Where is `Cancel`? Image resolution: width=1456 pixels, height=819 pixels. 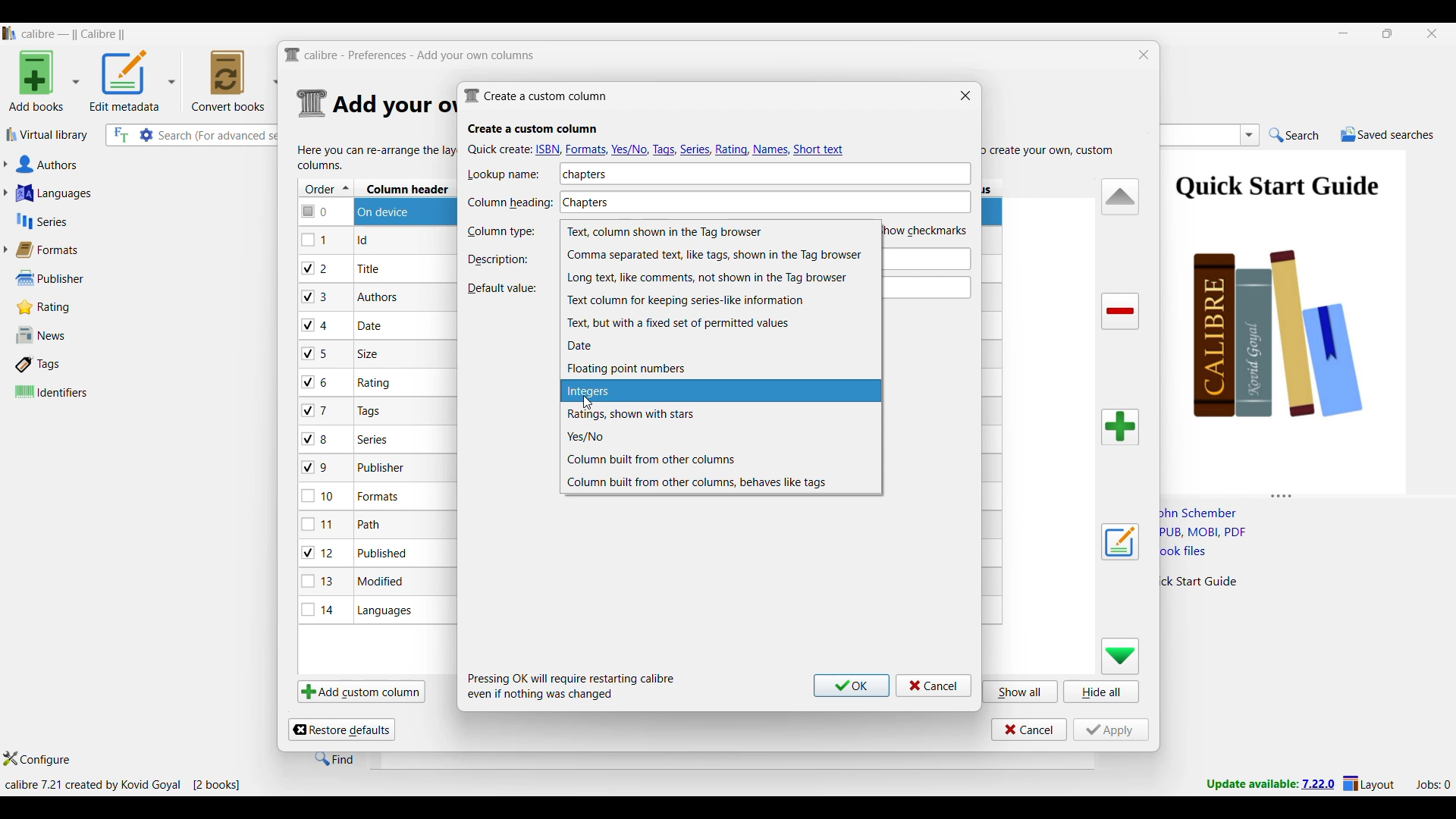
Cancel is located at coordinates (934, 686).